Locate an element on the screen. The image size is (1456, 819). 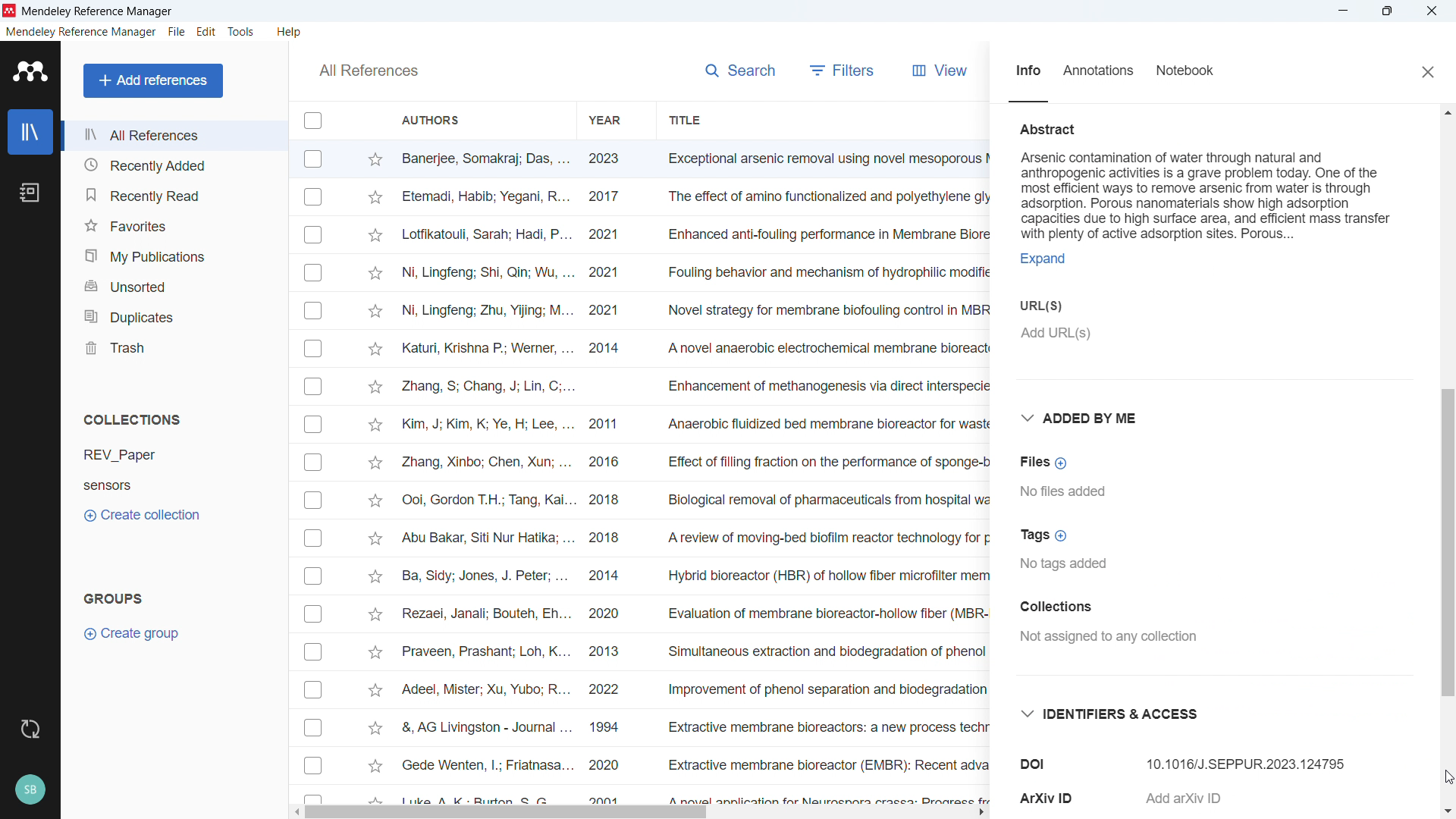
click to starmark individual entries is located at coordinates (374, 465).